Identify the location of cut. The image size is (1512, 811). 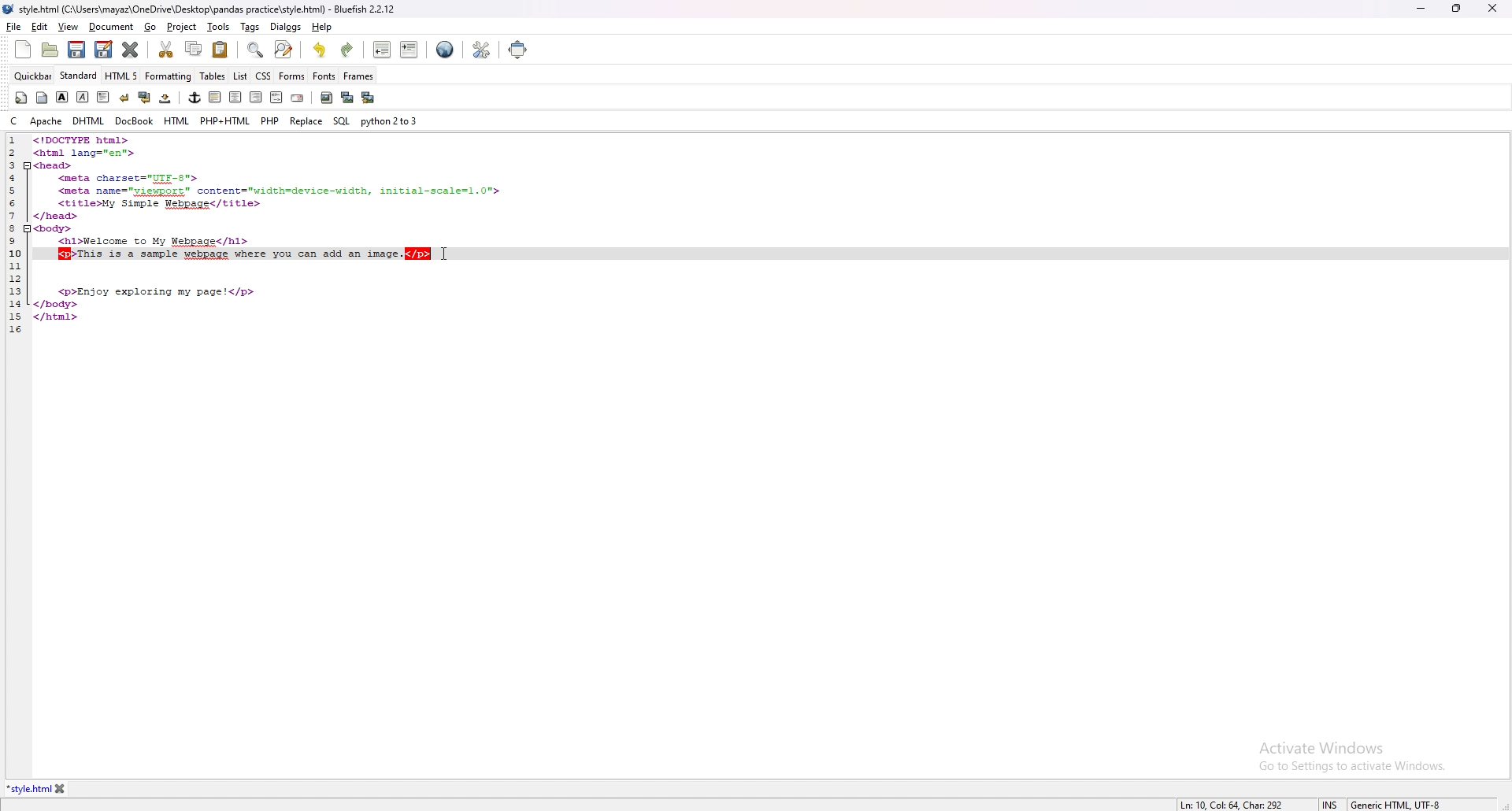
(165, 50).